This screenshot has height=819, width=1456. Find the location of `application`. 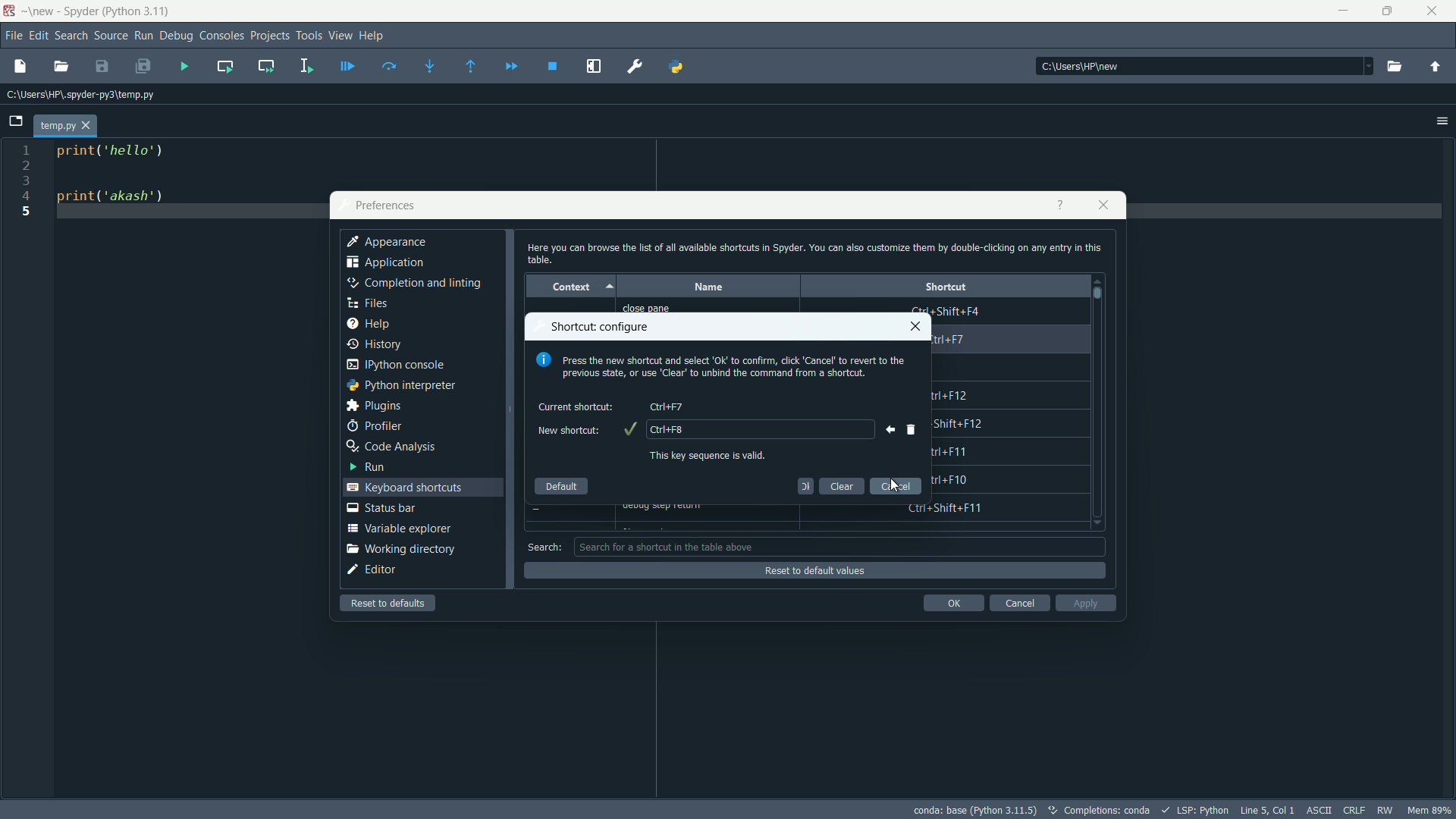

application is located at coordinates (386, 265).